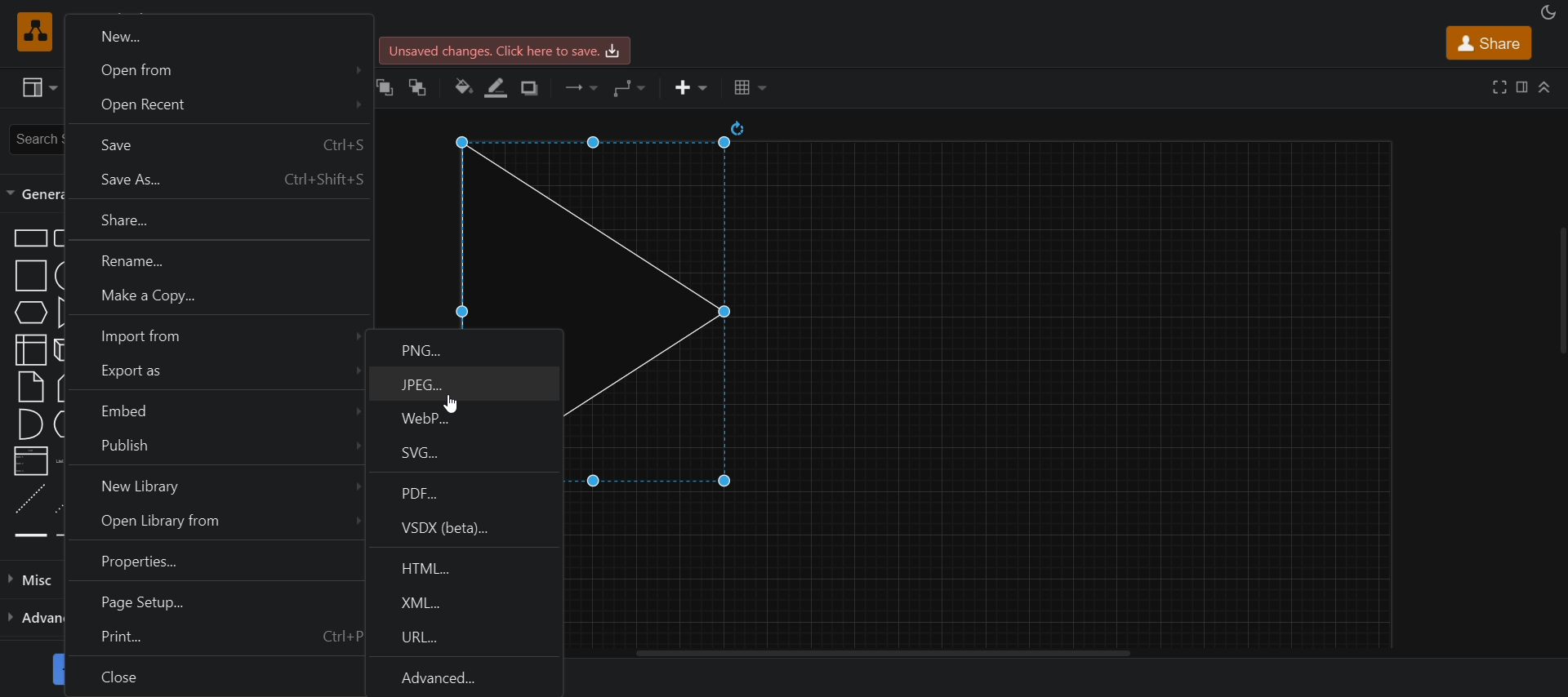 This screenshot has height=697, width=1568. I want to click on table, so click(751, 87).